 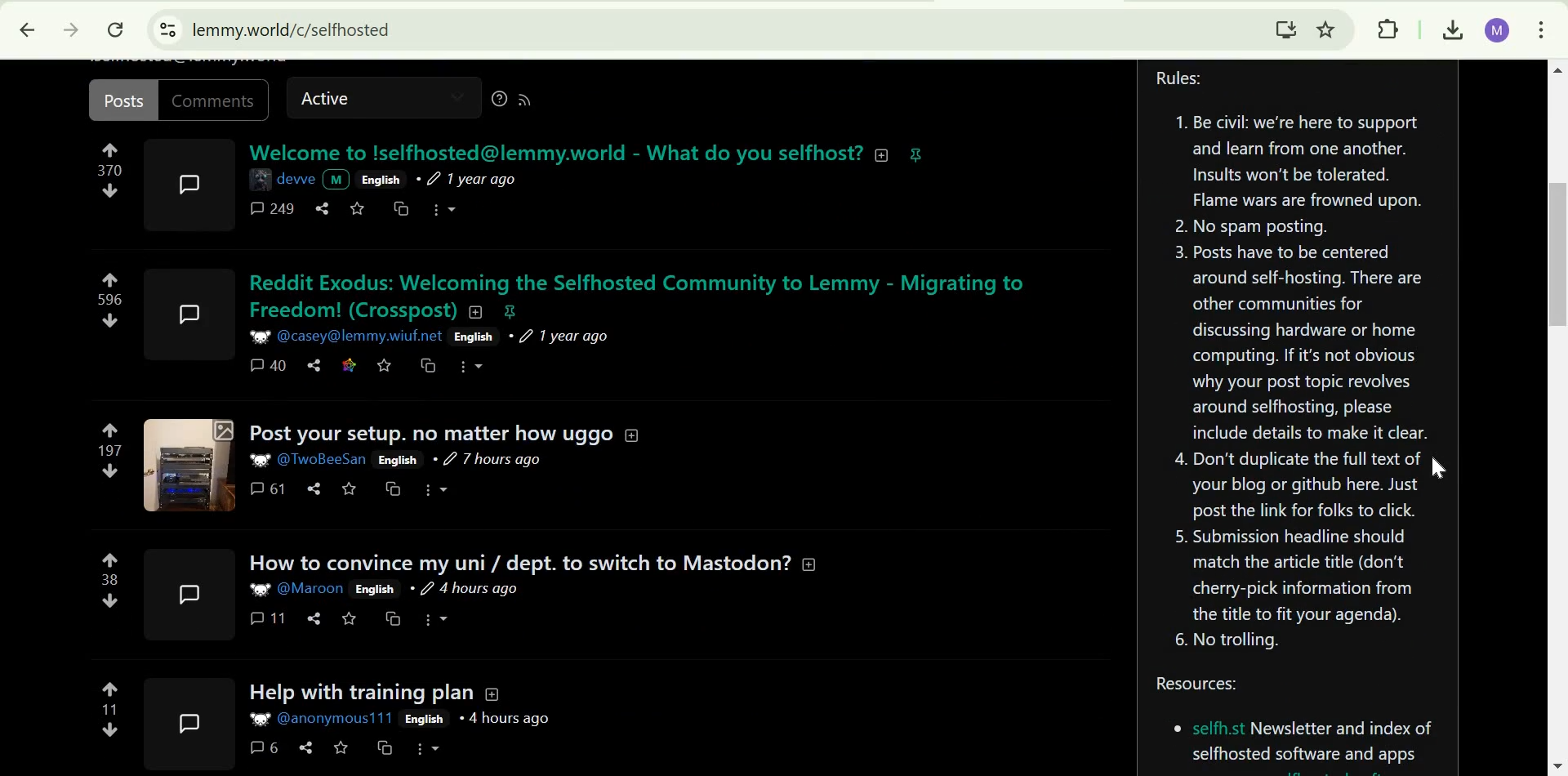 What do you see at coordinates (399, 460) in the screenshot?
I see `English` at bounding box center [399, 460].